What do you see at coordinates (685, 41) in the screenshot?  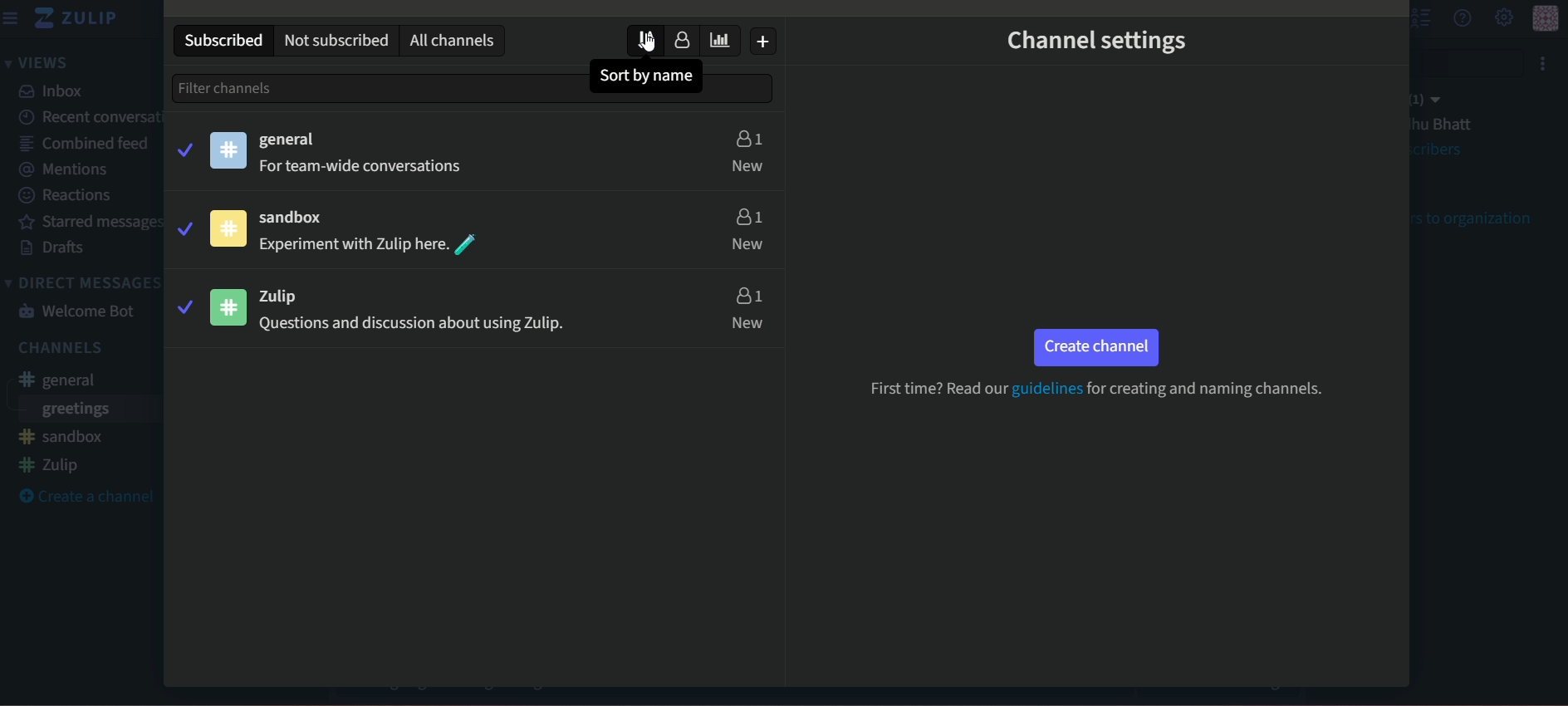 I see `sort by user` at bounding box center [685, 41].